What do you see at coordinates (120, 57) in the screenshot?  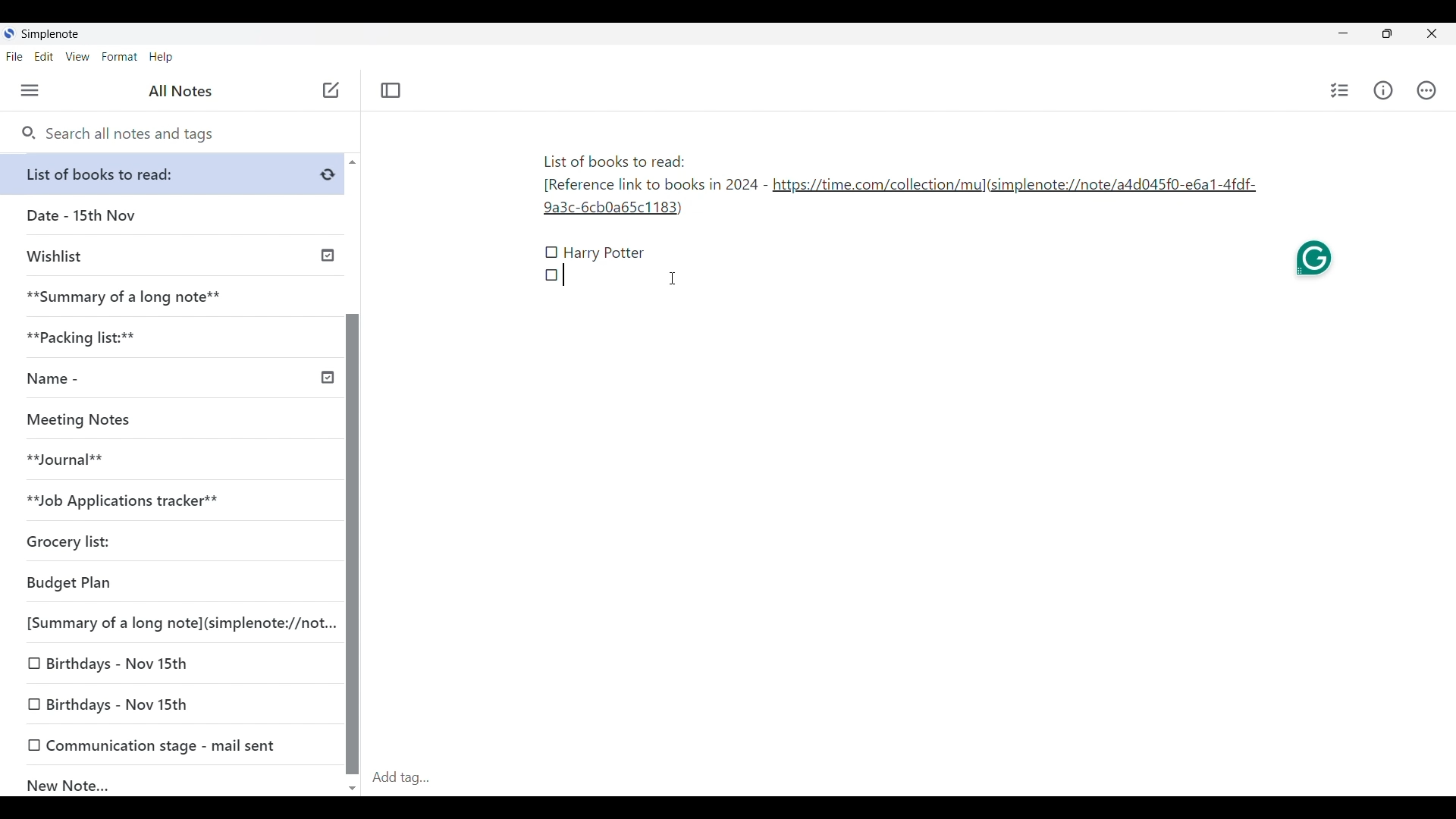 I see `Format` at bounding box center [120, 57].